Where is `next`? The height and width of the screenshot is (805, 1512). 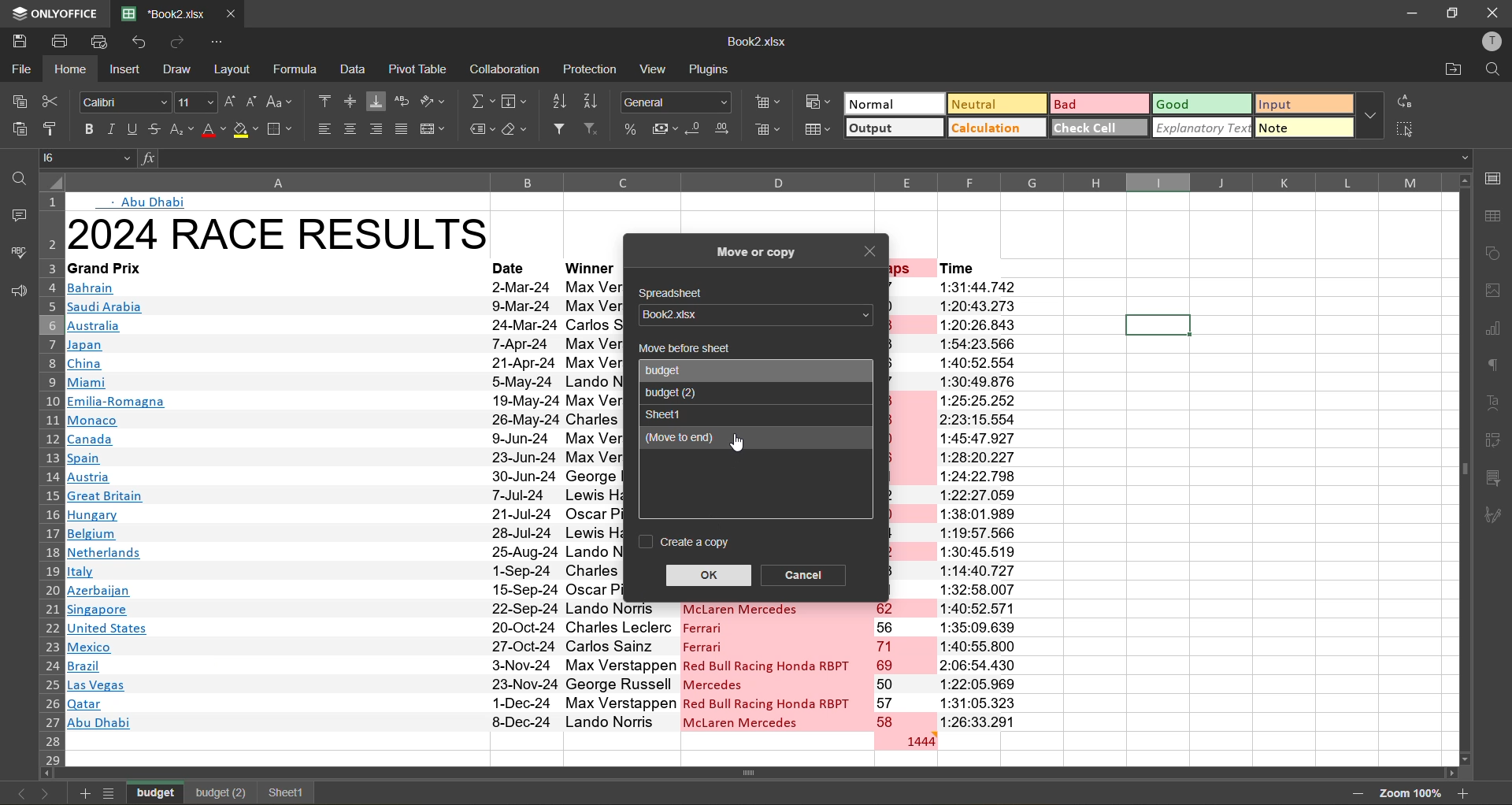 next is located at coordinates (46, 792).